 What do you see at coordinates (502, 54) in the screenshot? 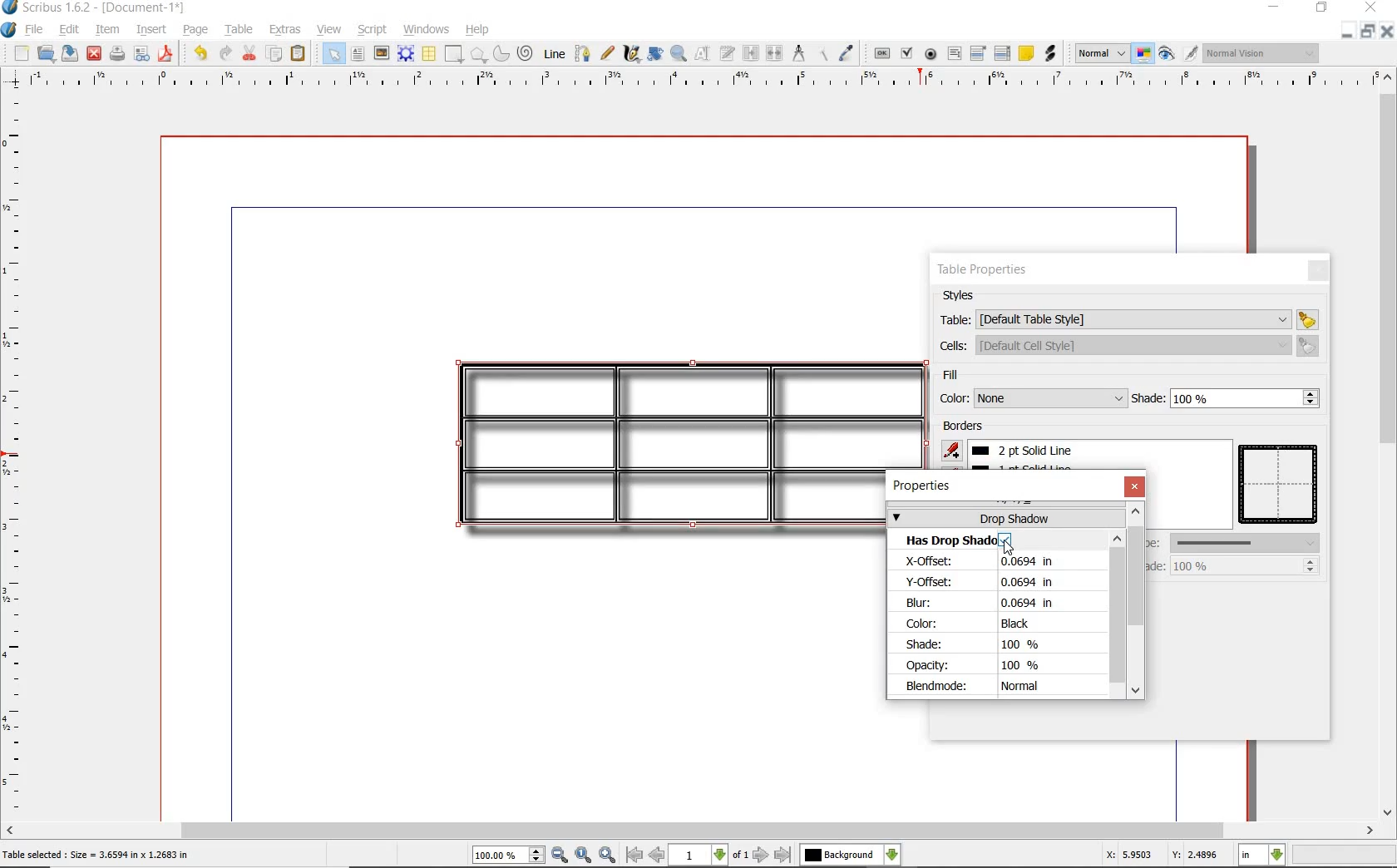
I see `arc` at bounding box center [502, 54].